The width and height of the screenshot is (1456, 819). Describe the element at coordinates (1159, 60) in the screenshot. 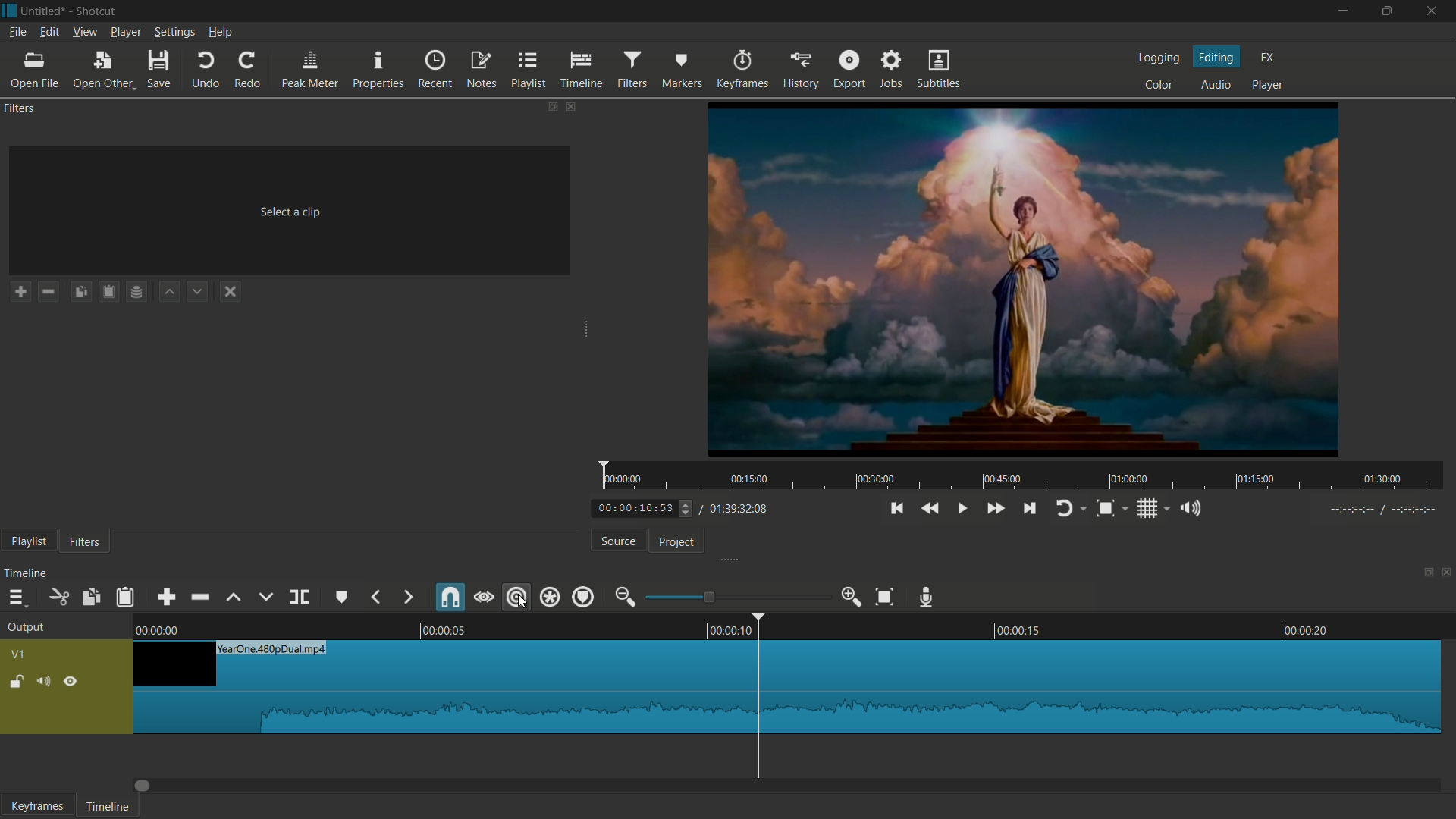

I see `logging` at that location.